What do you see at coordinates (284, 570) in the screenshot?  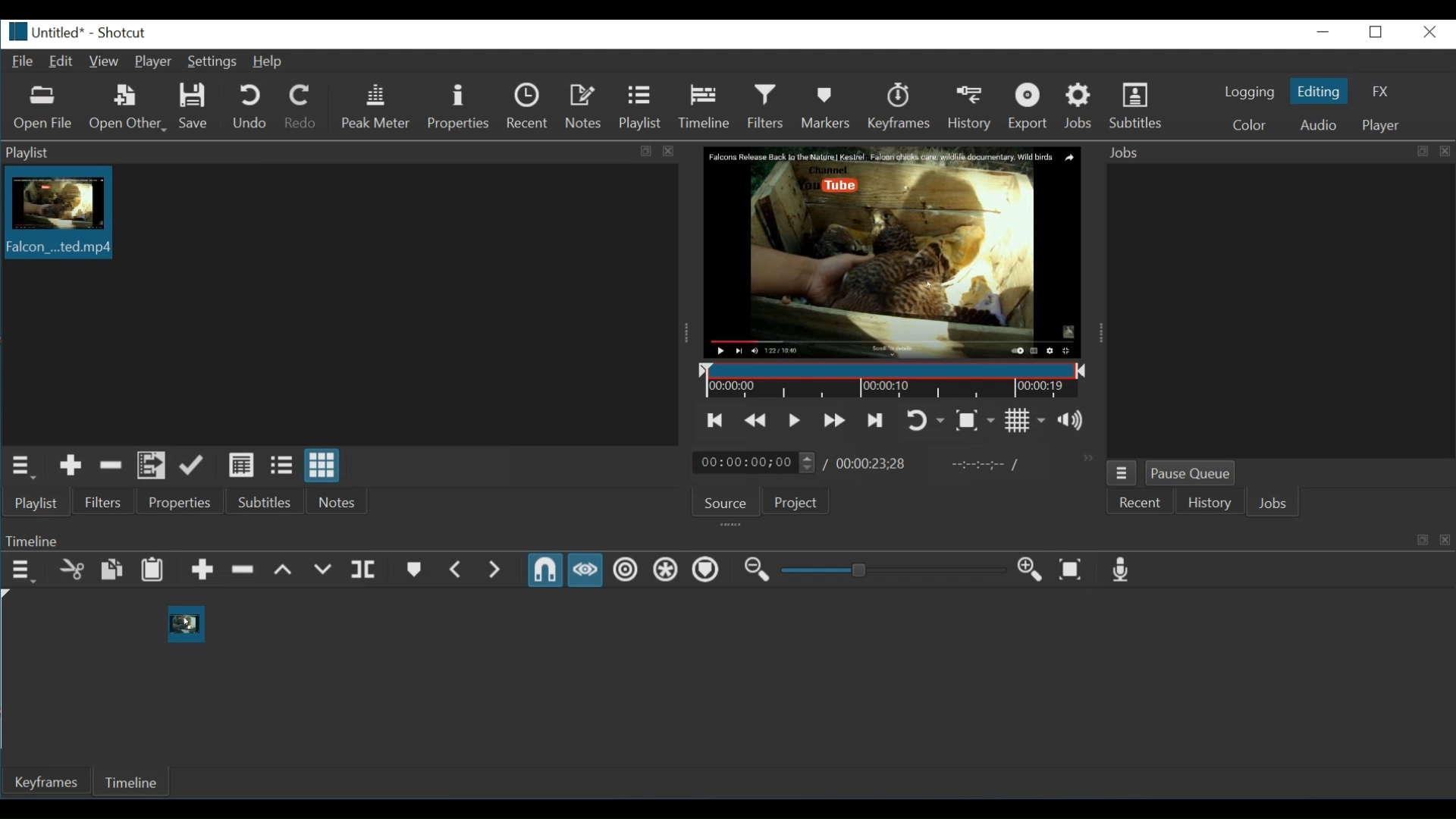 I see `lift ` at bounding box center [284, 570].